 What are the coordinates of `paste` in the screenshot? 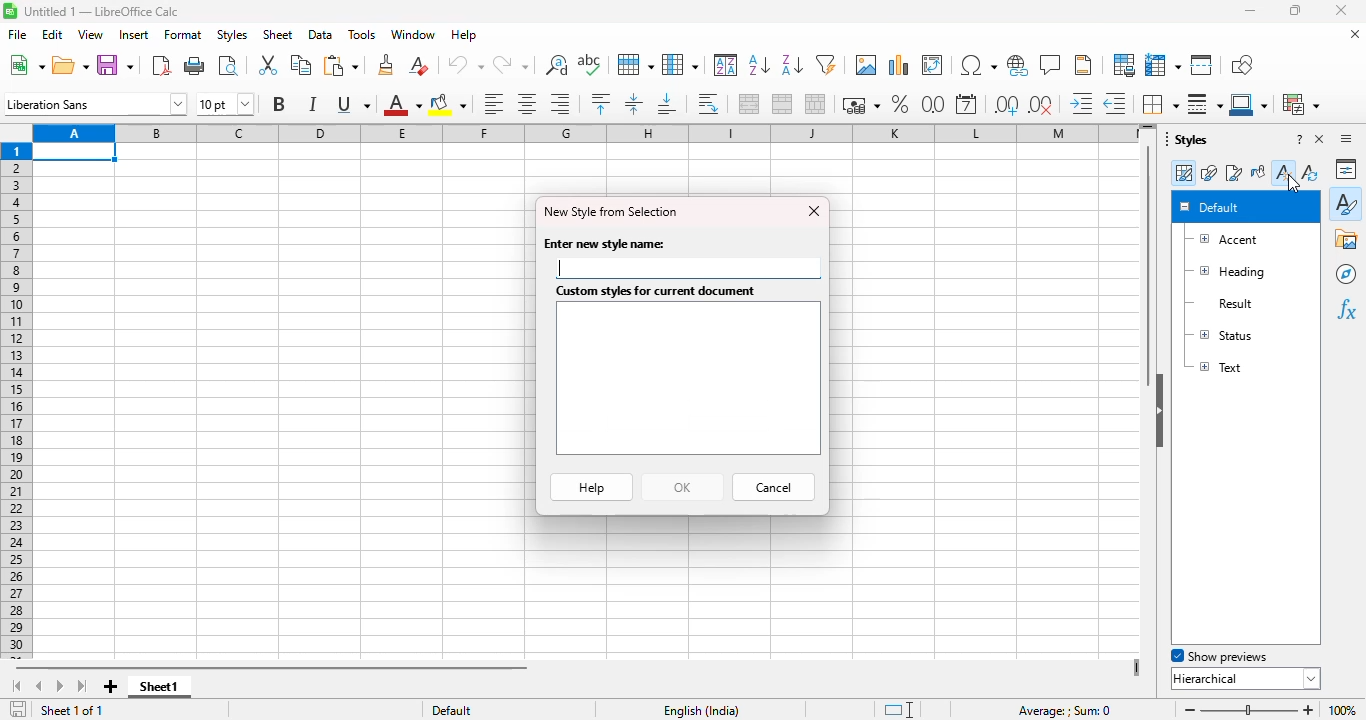 It's located at (341, 65).